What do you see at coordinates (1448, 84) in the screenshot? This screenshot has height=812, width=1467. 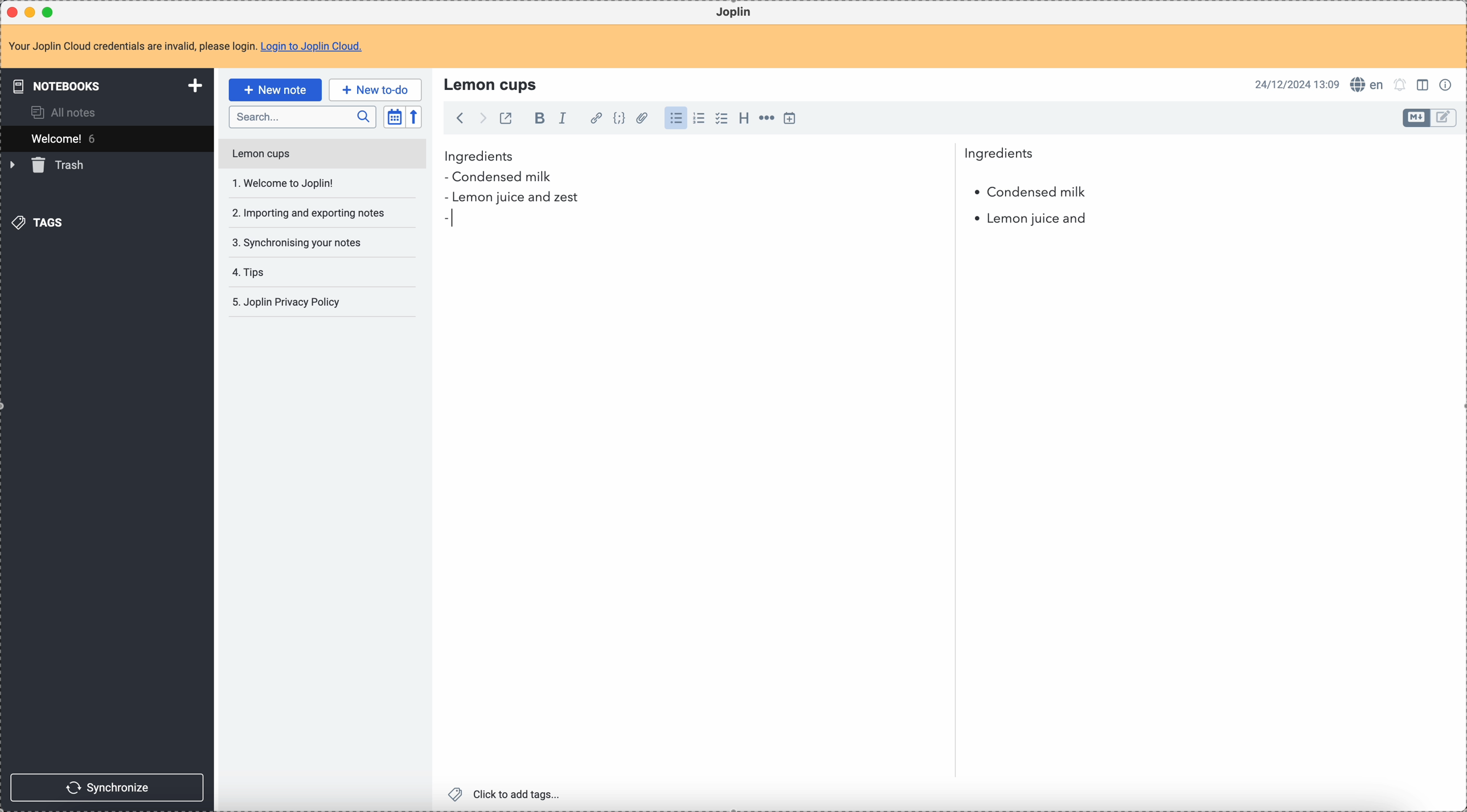 I see `note properties` at bounding box center [1448, 84].